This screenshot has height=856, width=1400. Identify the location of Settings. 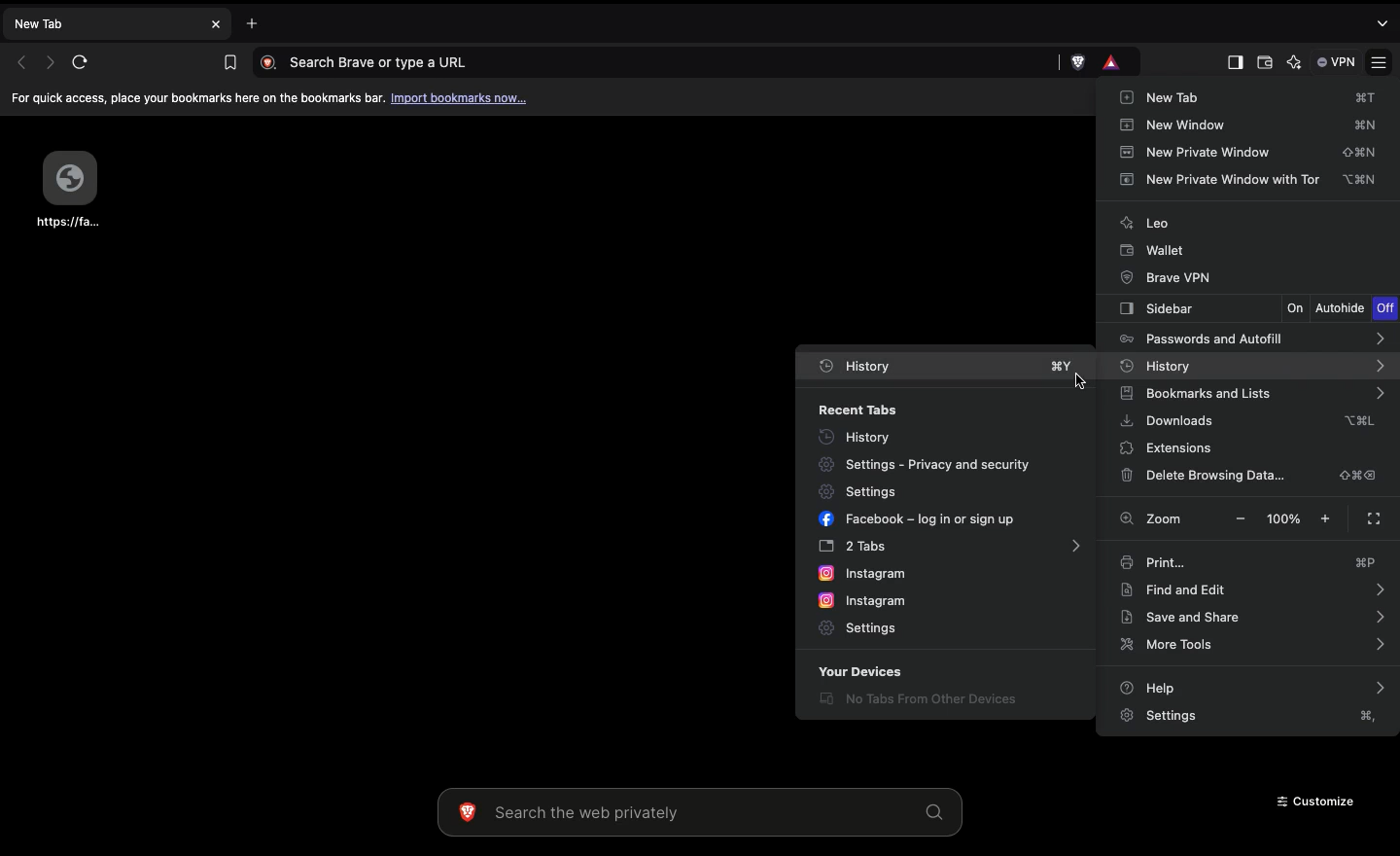
(1251, 715).